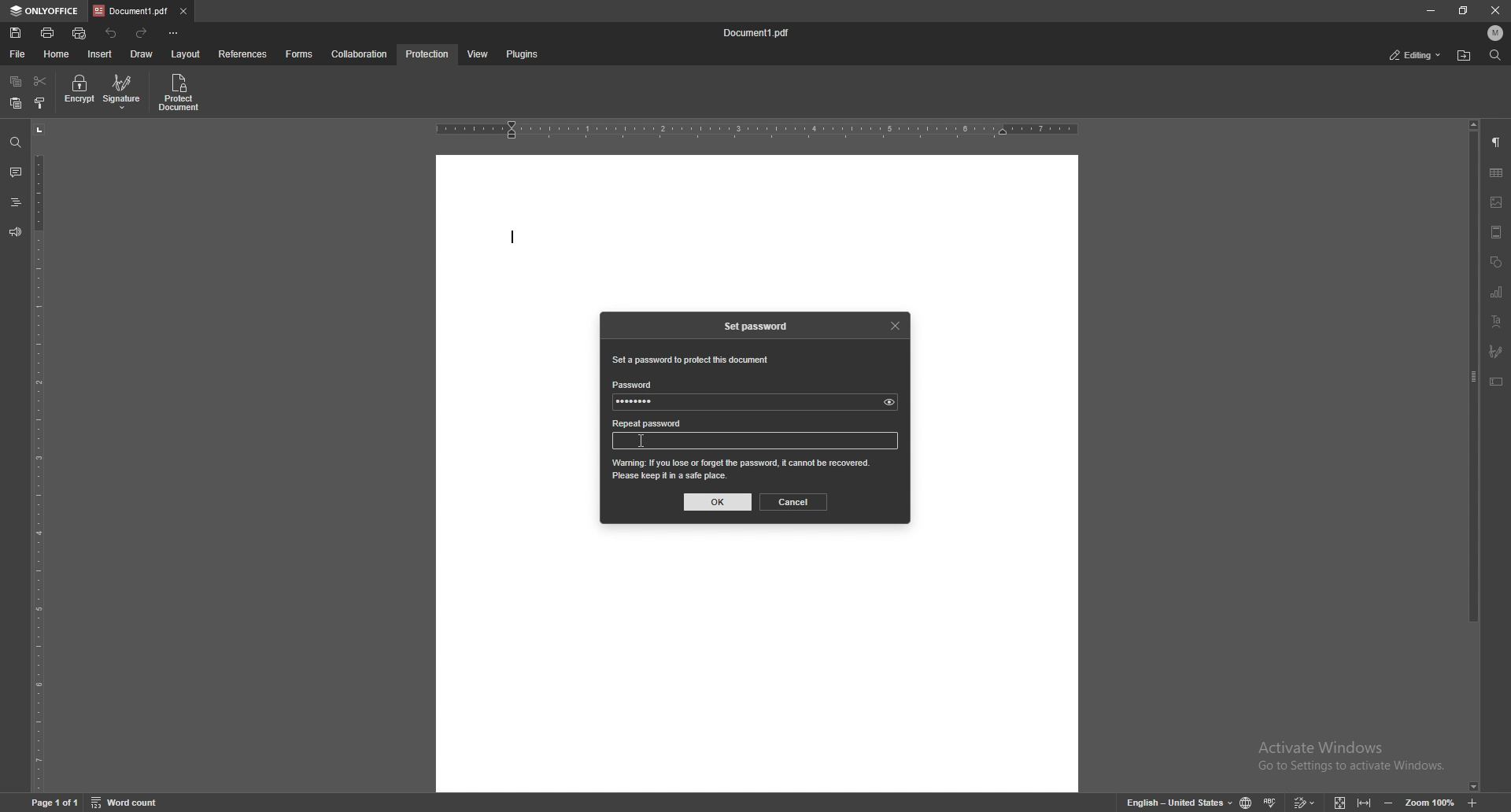 This screenshot has width=1511, height=812. Describe the element at coordinates (759, 33) in the screenshot. I see `file name` at that location.